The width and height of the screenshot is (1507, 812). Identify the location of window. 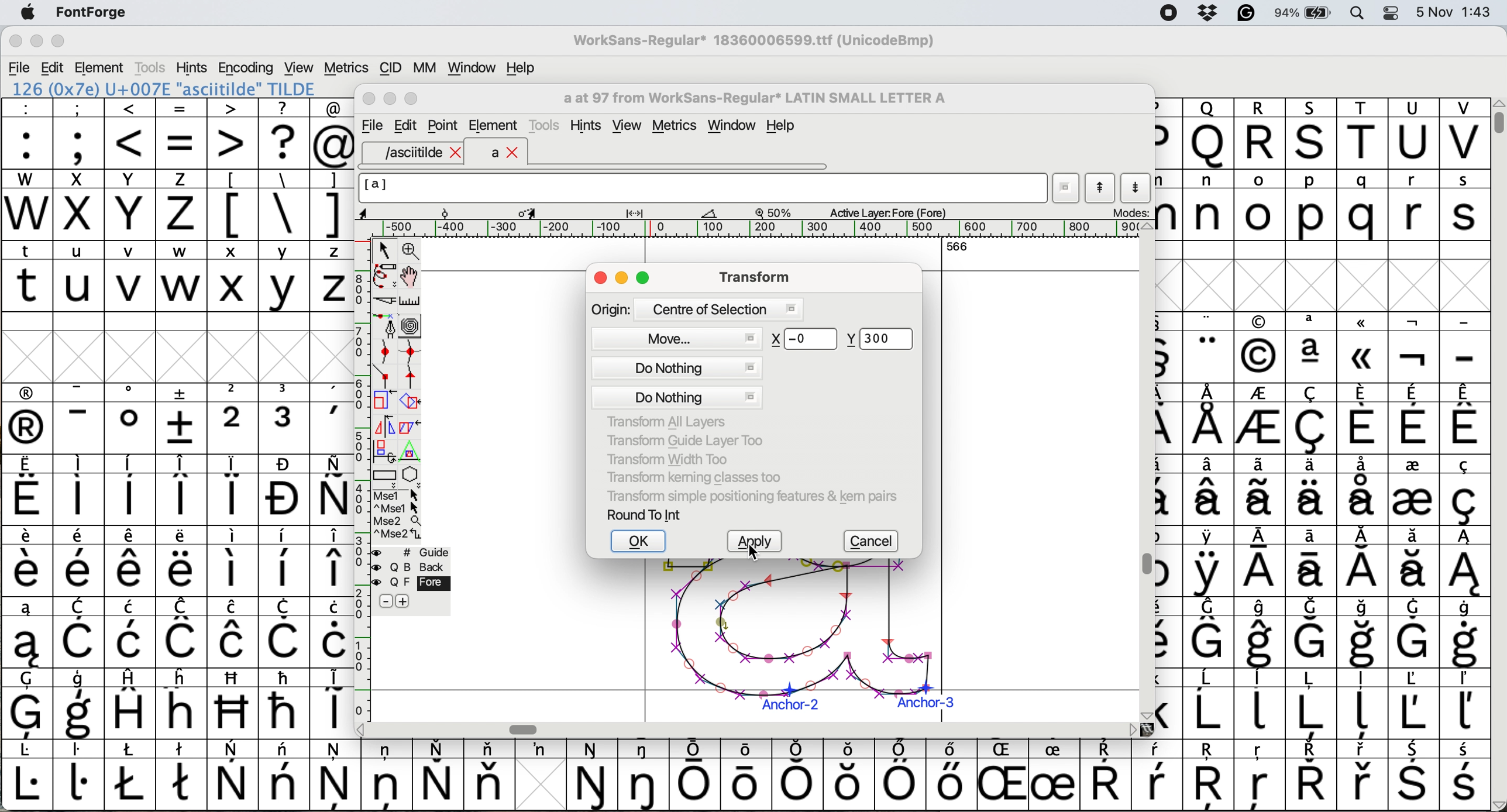
(734, 126).